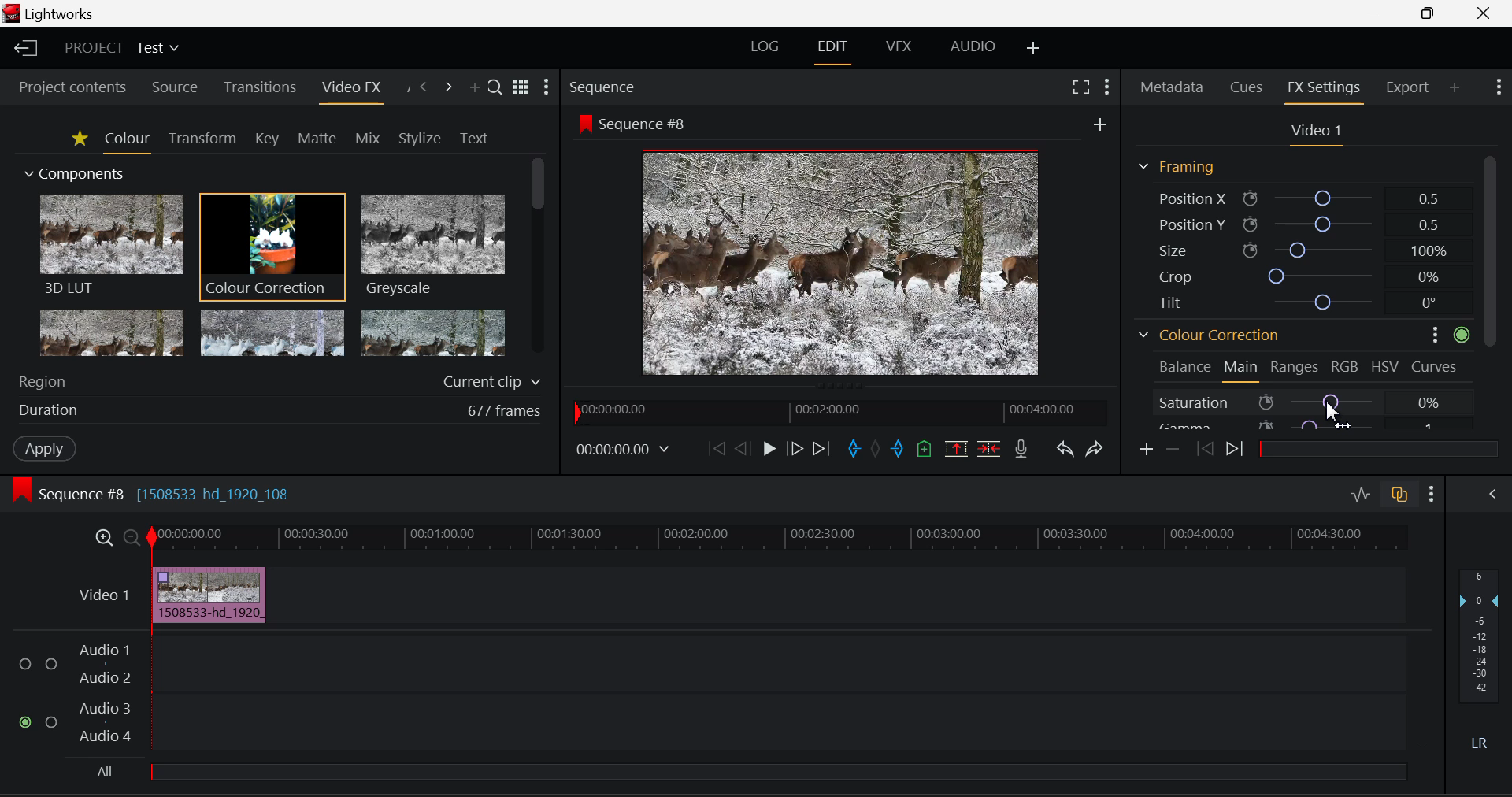 The height and width of the screenshot is (797, 1512). Describe the element at coordinates (260, 87) in the screenshot. I see `Transitions` at that location.